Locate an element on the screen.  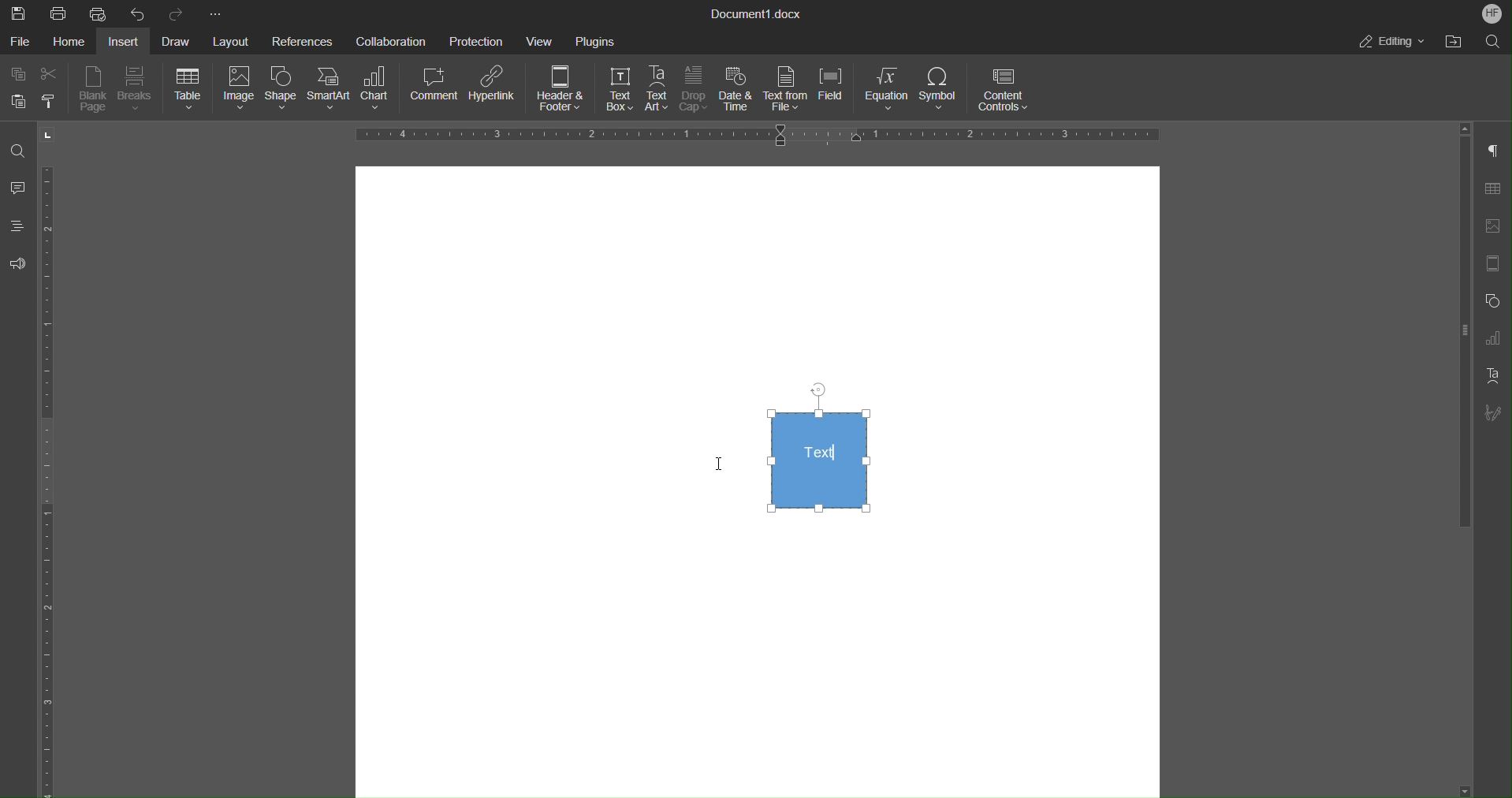
Text Art is located at coordinates (658, 90).